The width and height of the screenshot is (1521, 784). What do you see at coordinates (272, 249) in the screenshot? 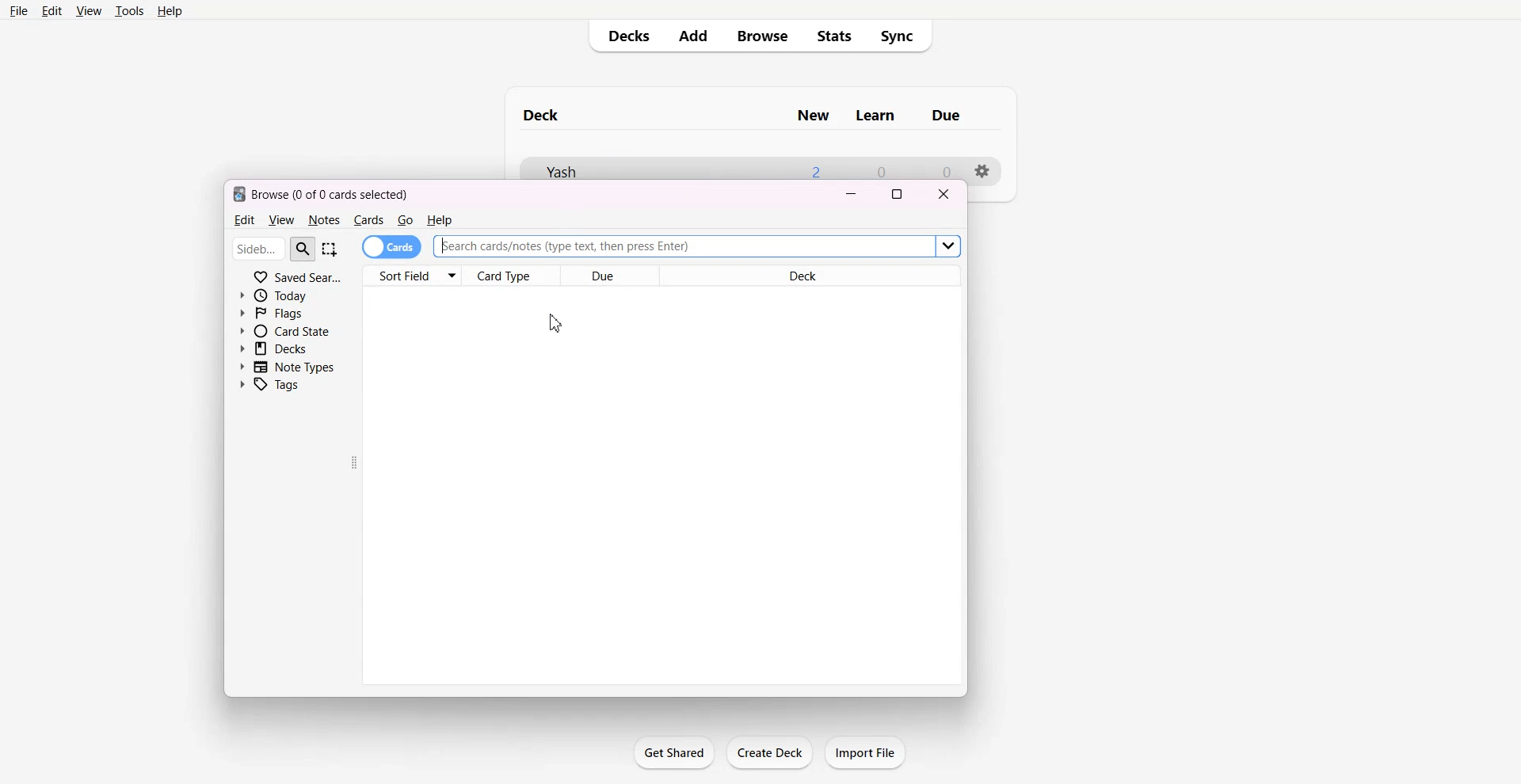
I see `Search bar` at bounding box center [272, 249].